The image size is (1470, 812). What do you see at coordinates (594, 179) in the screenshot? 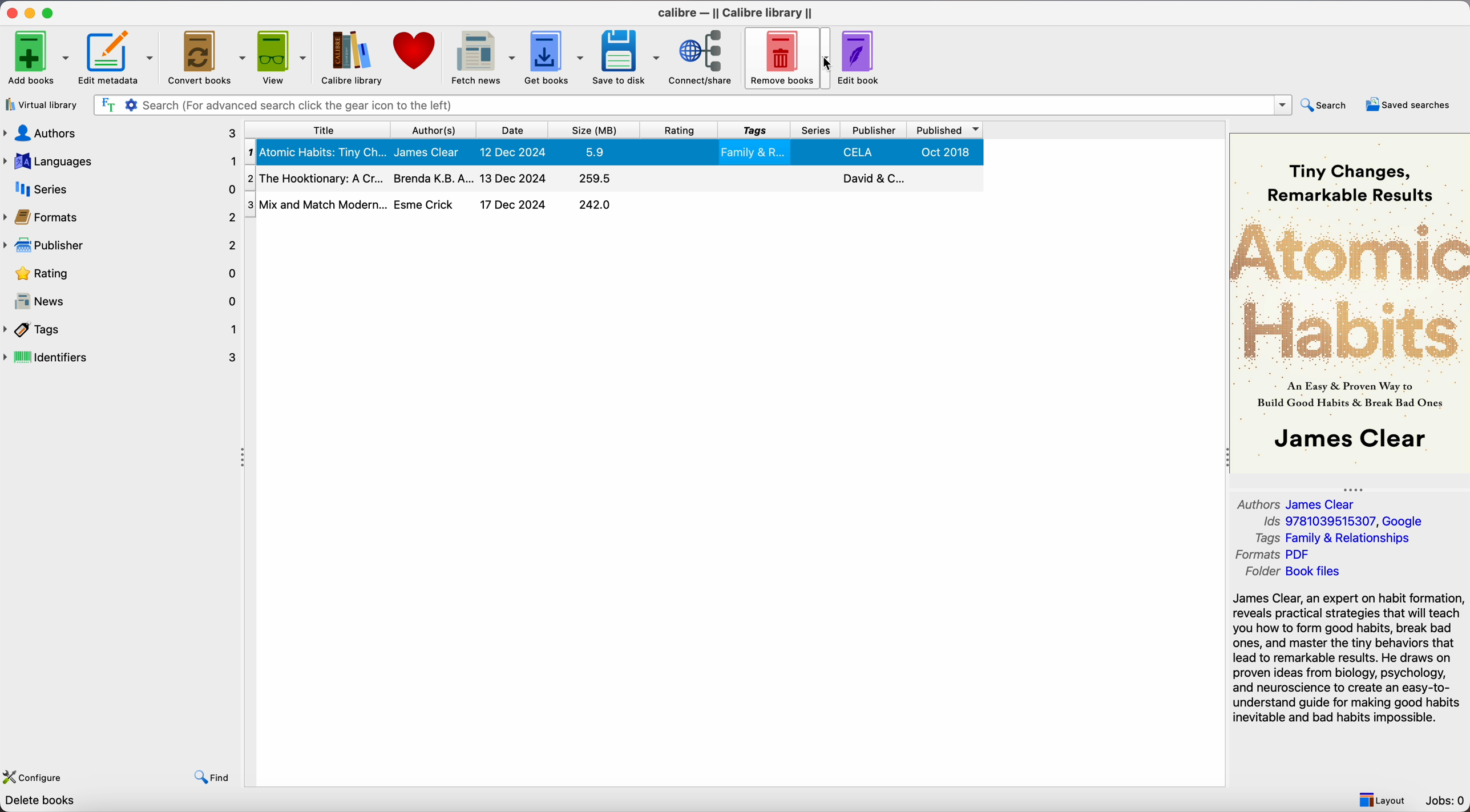
I see `295.5` at bounding box center [594, 179].